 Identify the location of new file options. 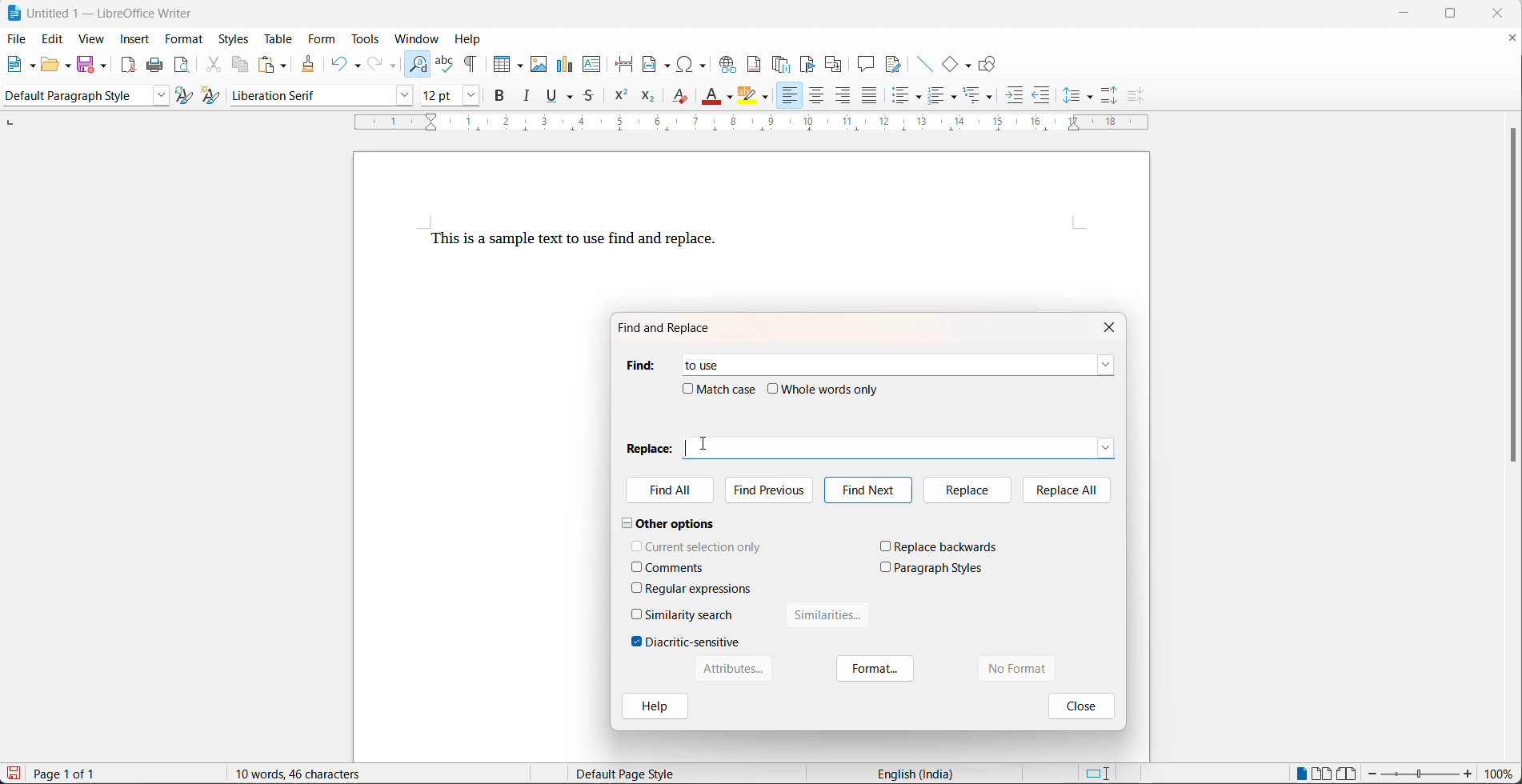
(34, 66).